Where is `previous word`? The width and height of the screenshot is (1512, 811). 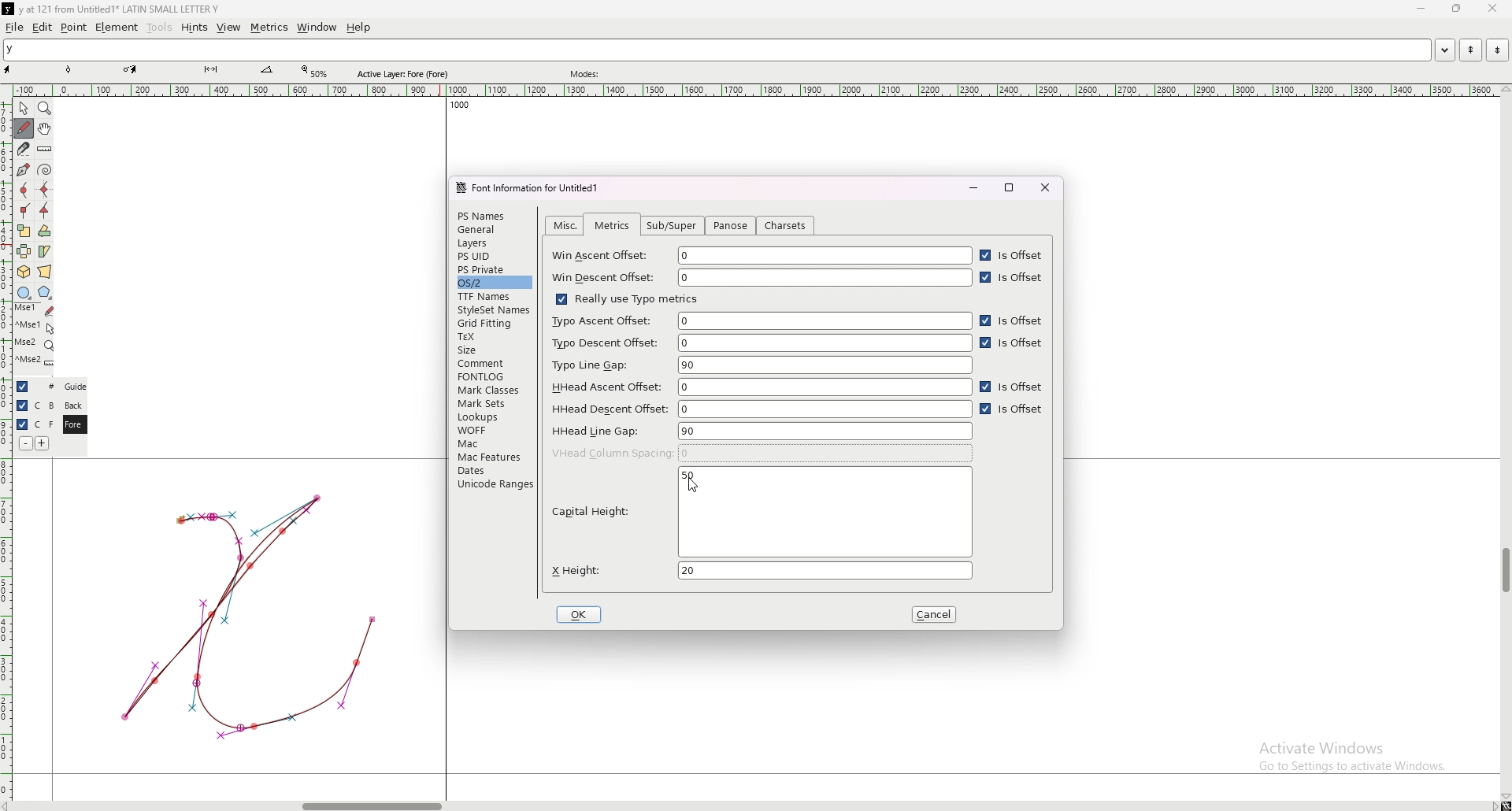
previous word is located at coordinates (1469, 50).